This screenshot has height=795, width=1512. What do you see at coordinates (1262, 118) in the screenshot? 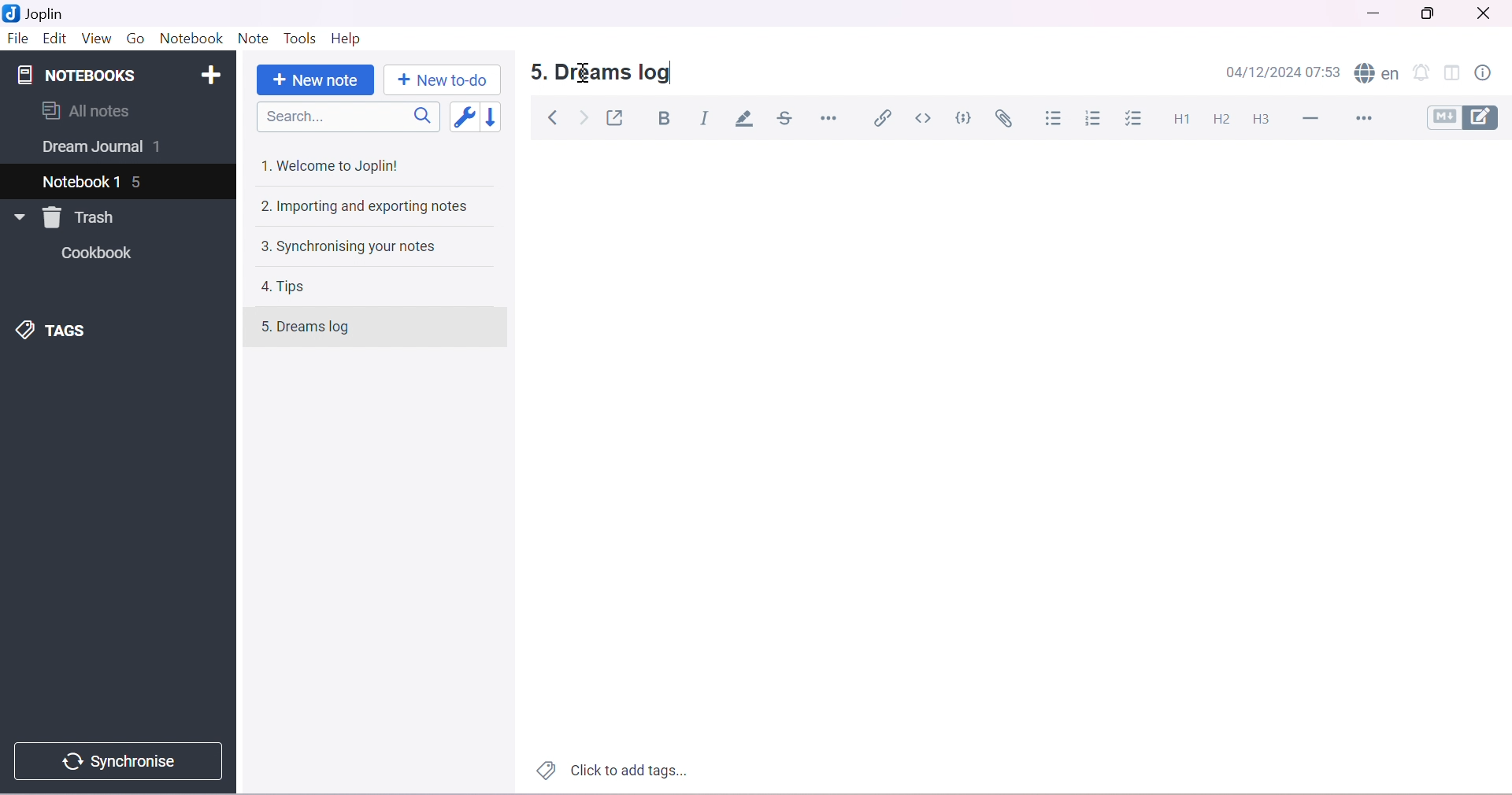
I see `Heading 3` at bounding box center [1262, 118].